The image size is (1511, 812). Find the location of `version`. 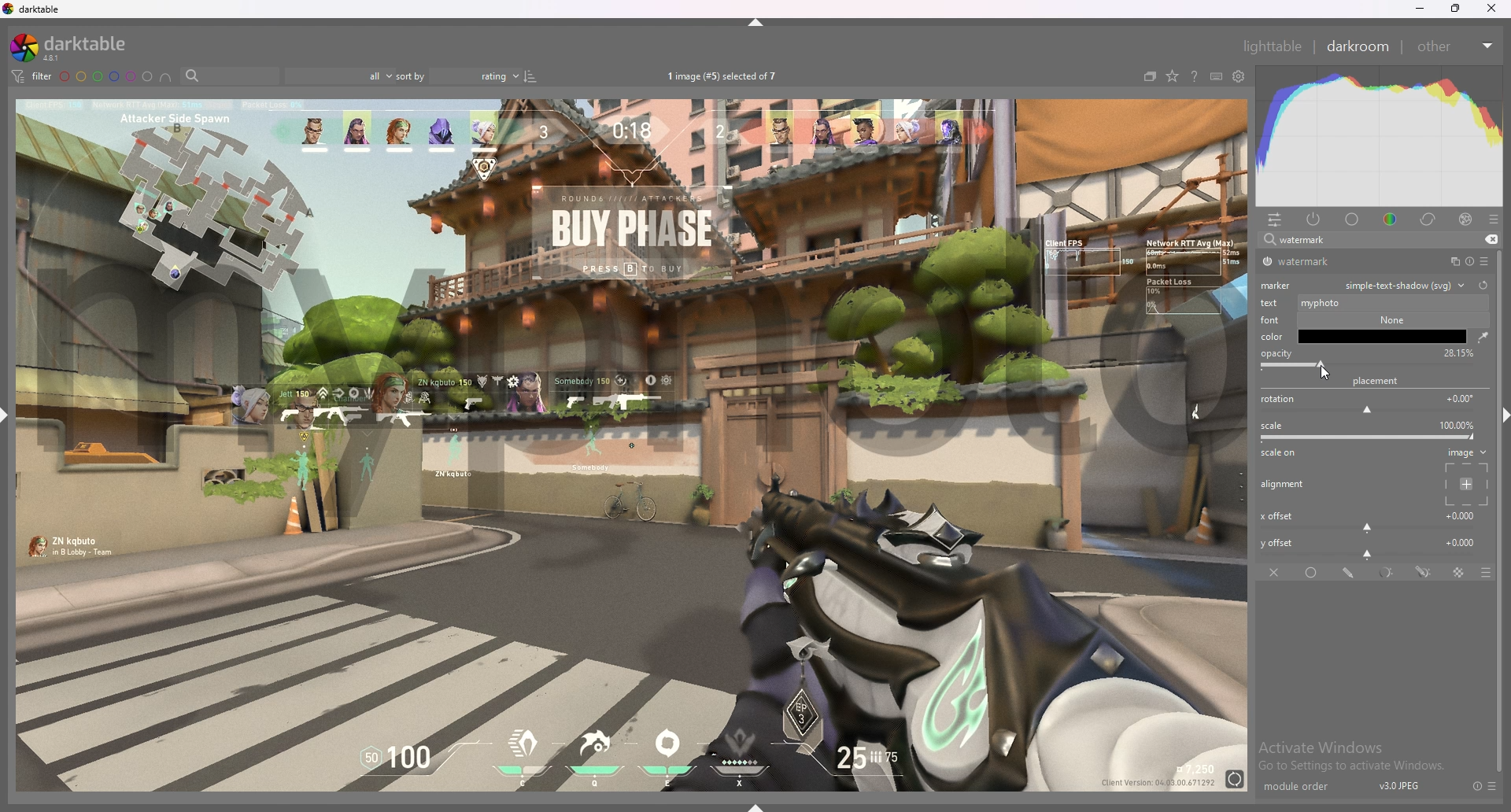

version is located at coordinates (1400, 785).